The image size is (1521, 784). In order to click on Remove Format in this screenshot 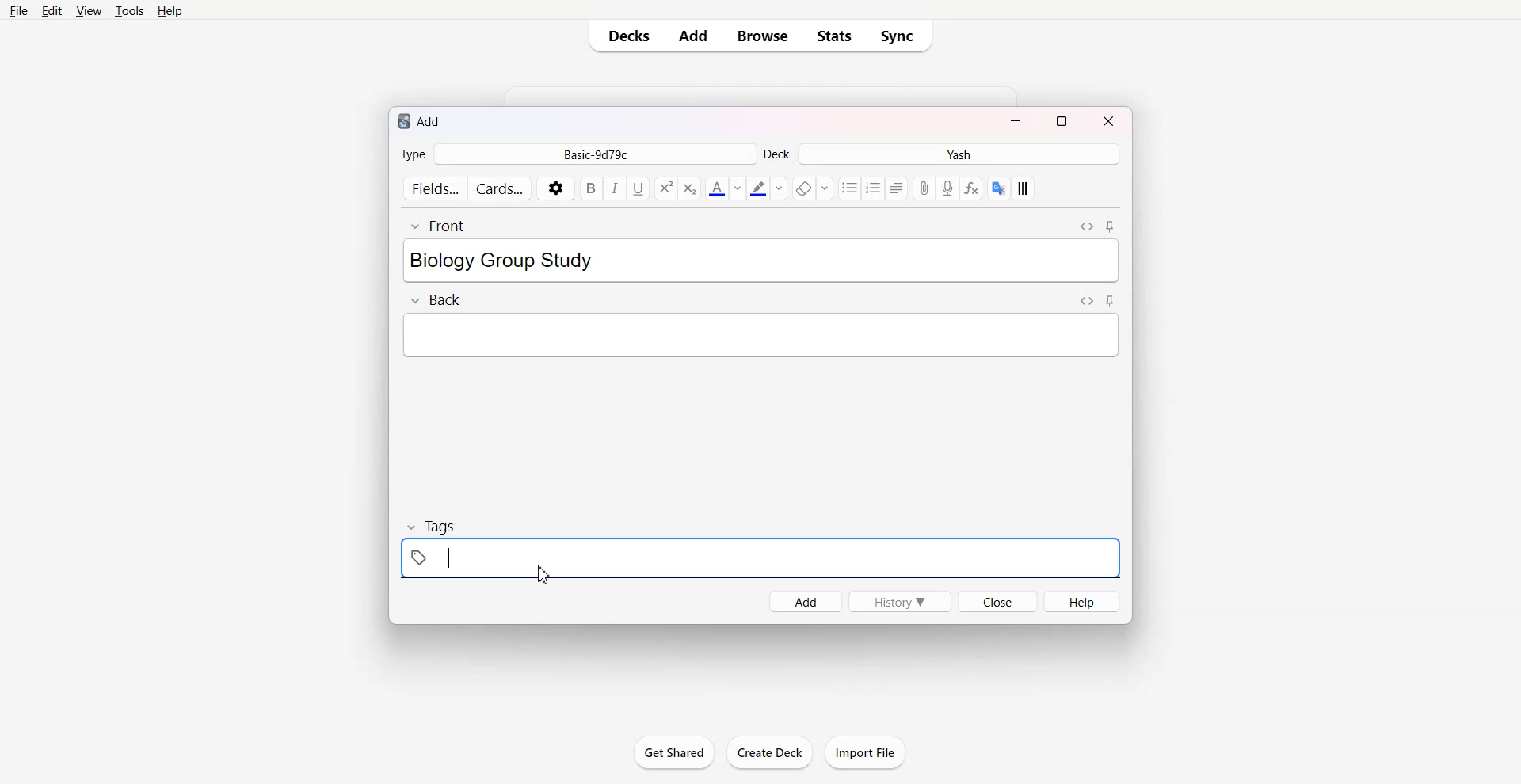, I will do `click(811, 188)`.